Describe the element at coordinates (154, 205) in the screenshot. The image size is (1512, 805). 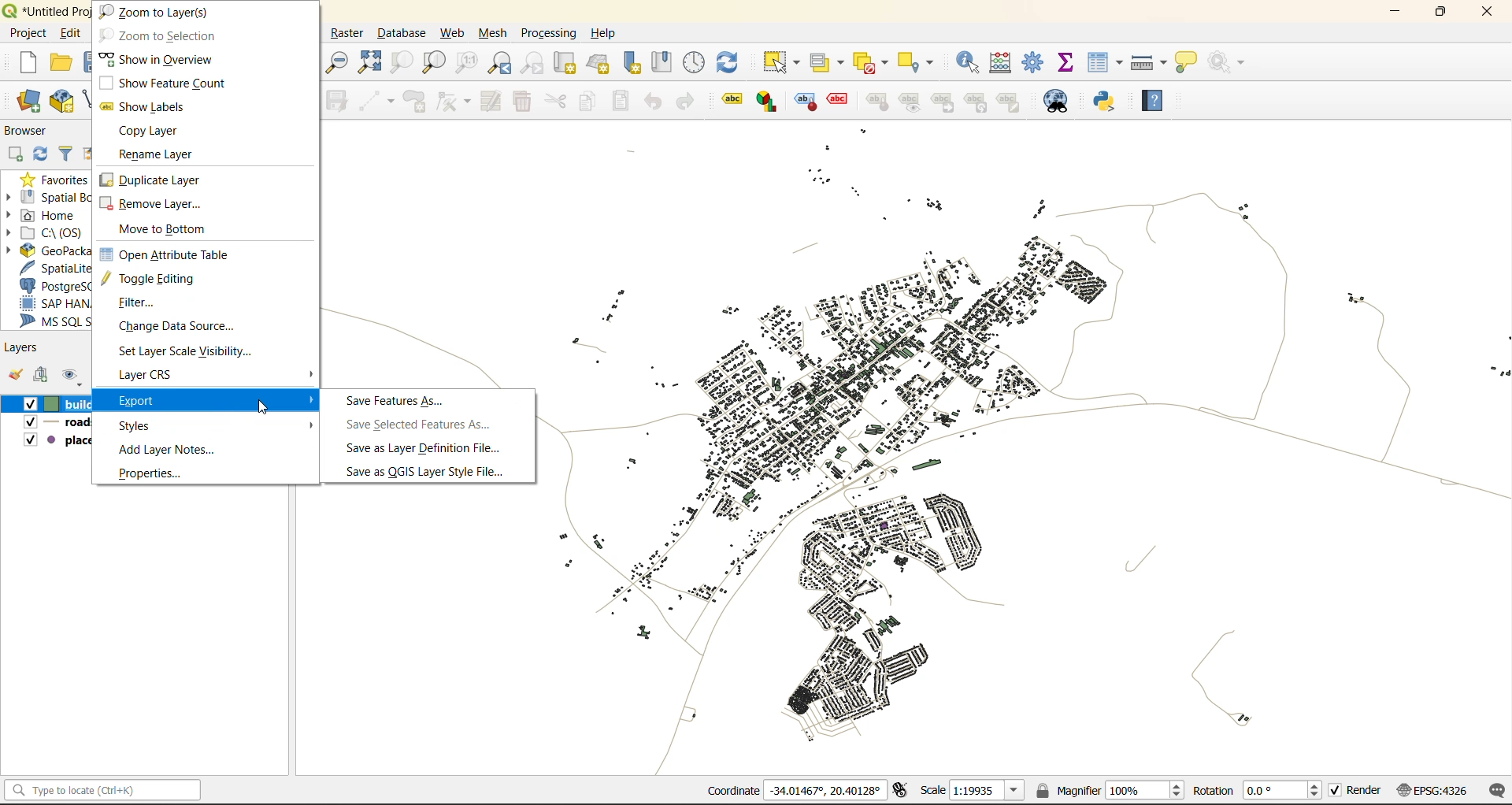
I see `remove layer` at that location.